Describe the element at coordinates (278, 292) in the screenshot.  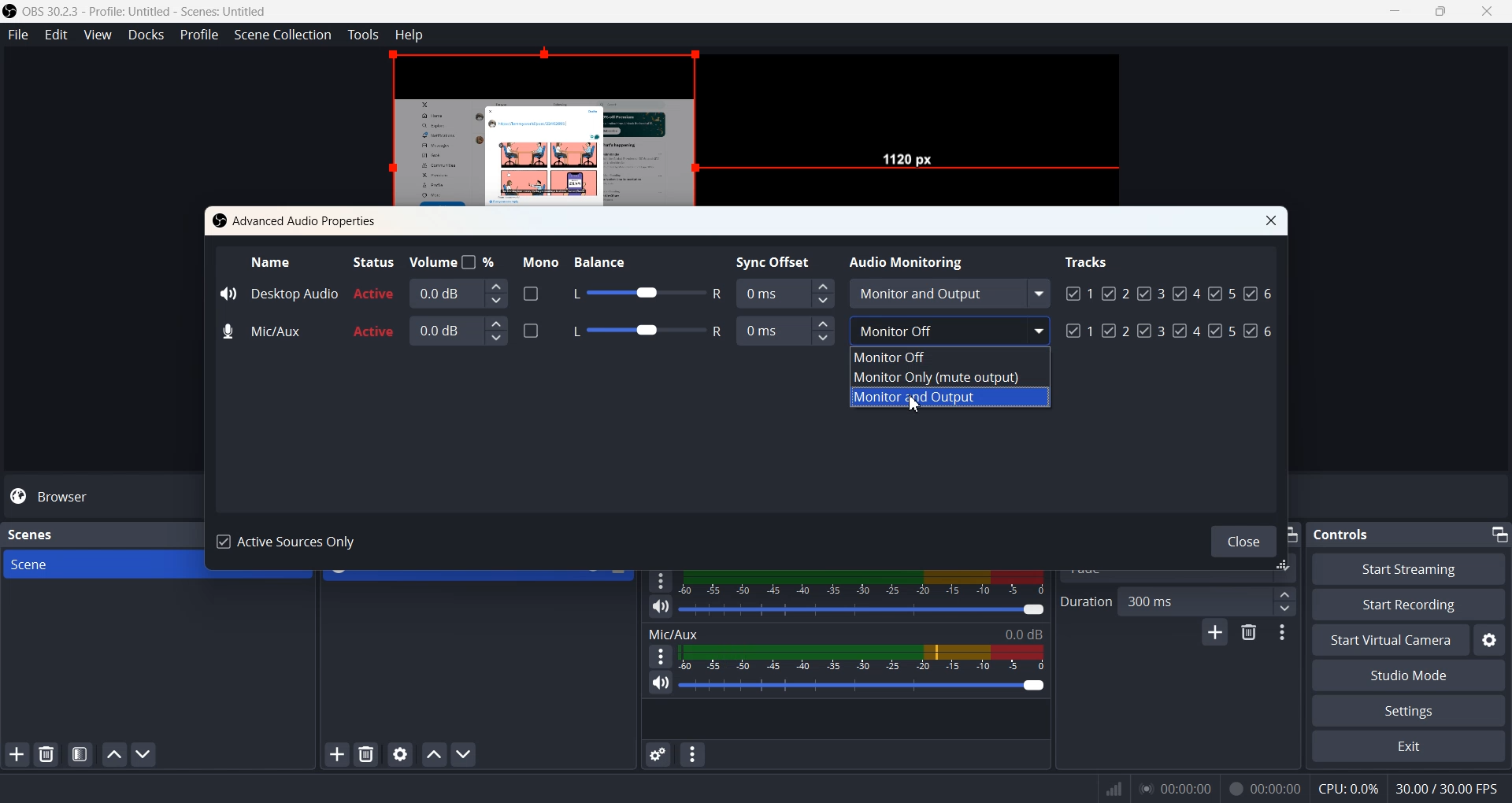
I see `Desktop Audio ` at that location.